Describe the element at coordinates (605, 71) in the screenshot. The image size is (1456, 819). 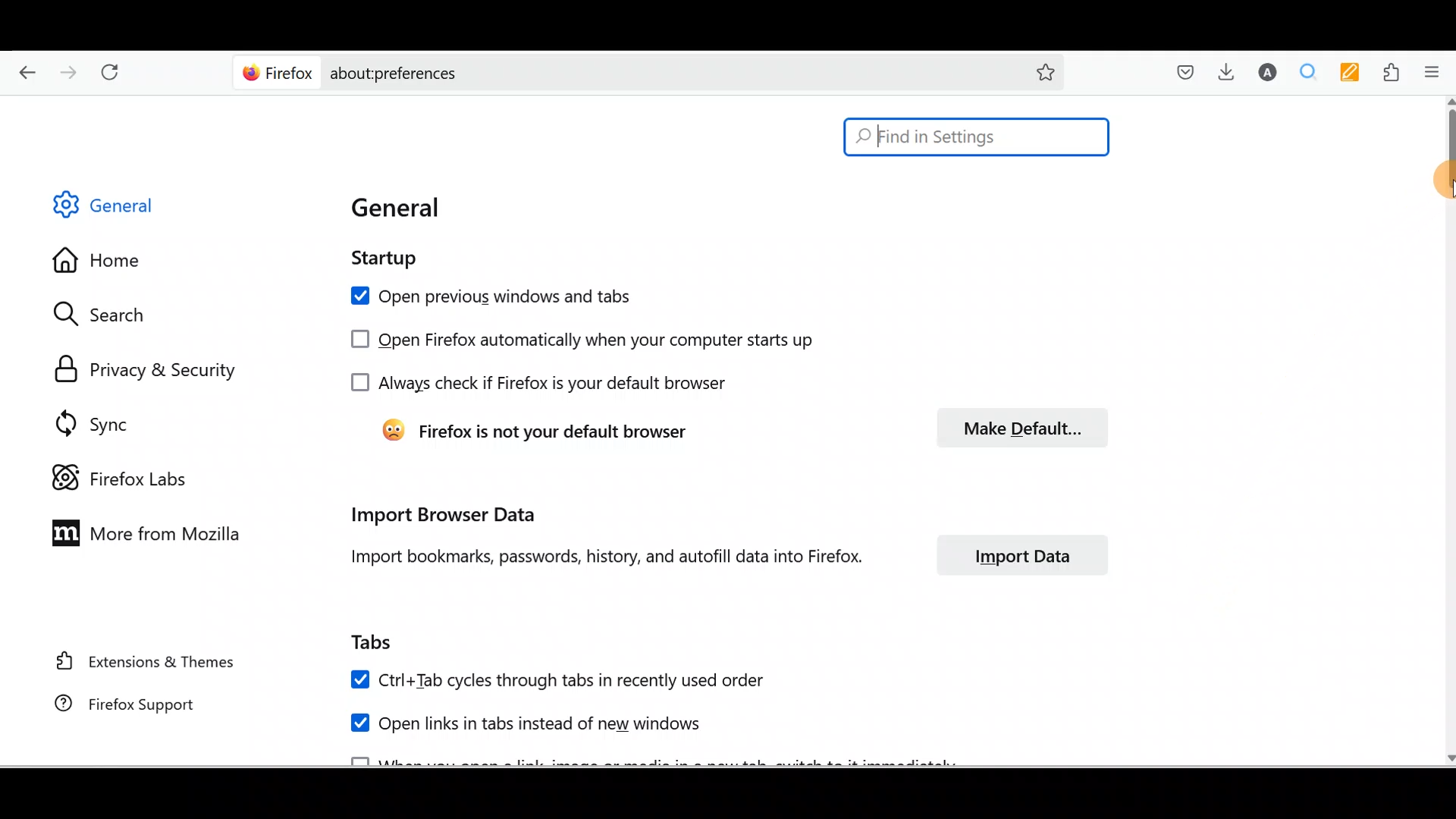
I see `about:preferences` at that location.